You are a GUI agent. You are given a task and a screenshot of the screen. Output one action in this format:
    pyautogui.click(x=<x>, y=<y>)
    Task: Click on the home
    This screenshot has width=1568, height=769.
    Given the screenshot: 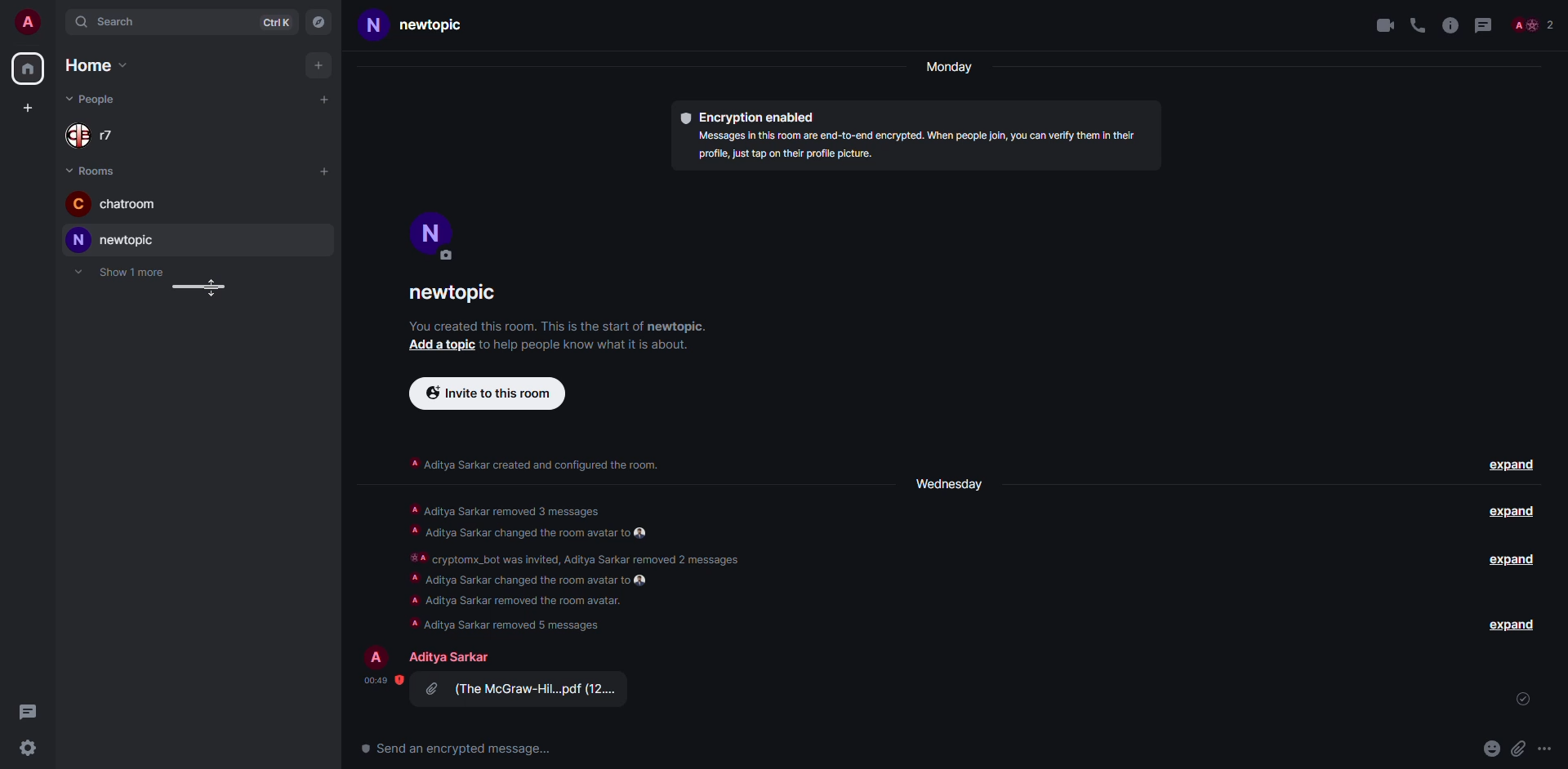 What is the action you would take?
    pyautogui.click(x=95, y=66)
    